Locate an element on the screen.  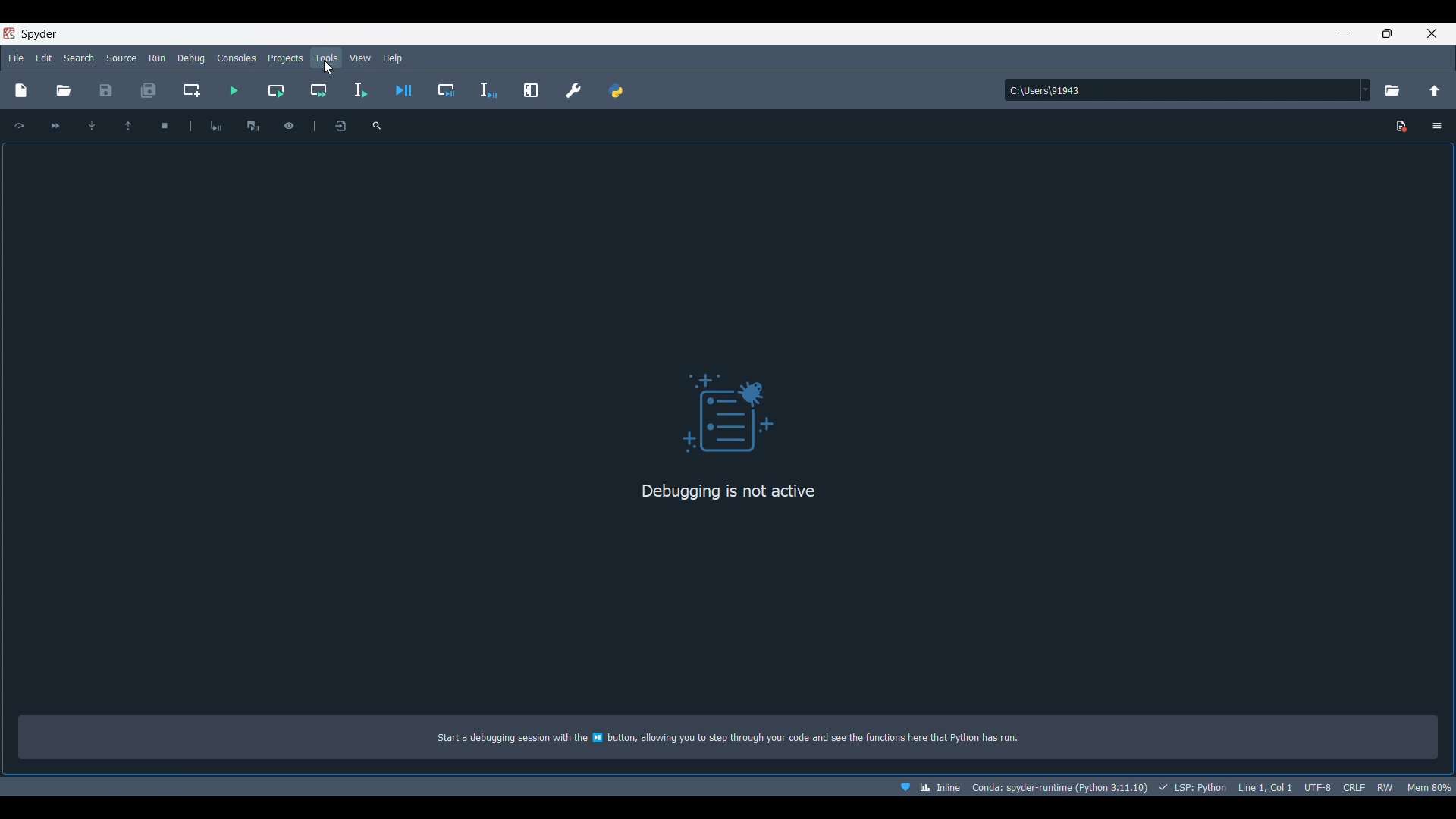
Tools menu is located at coordinates (327, 58).